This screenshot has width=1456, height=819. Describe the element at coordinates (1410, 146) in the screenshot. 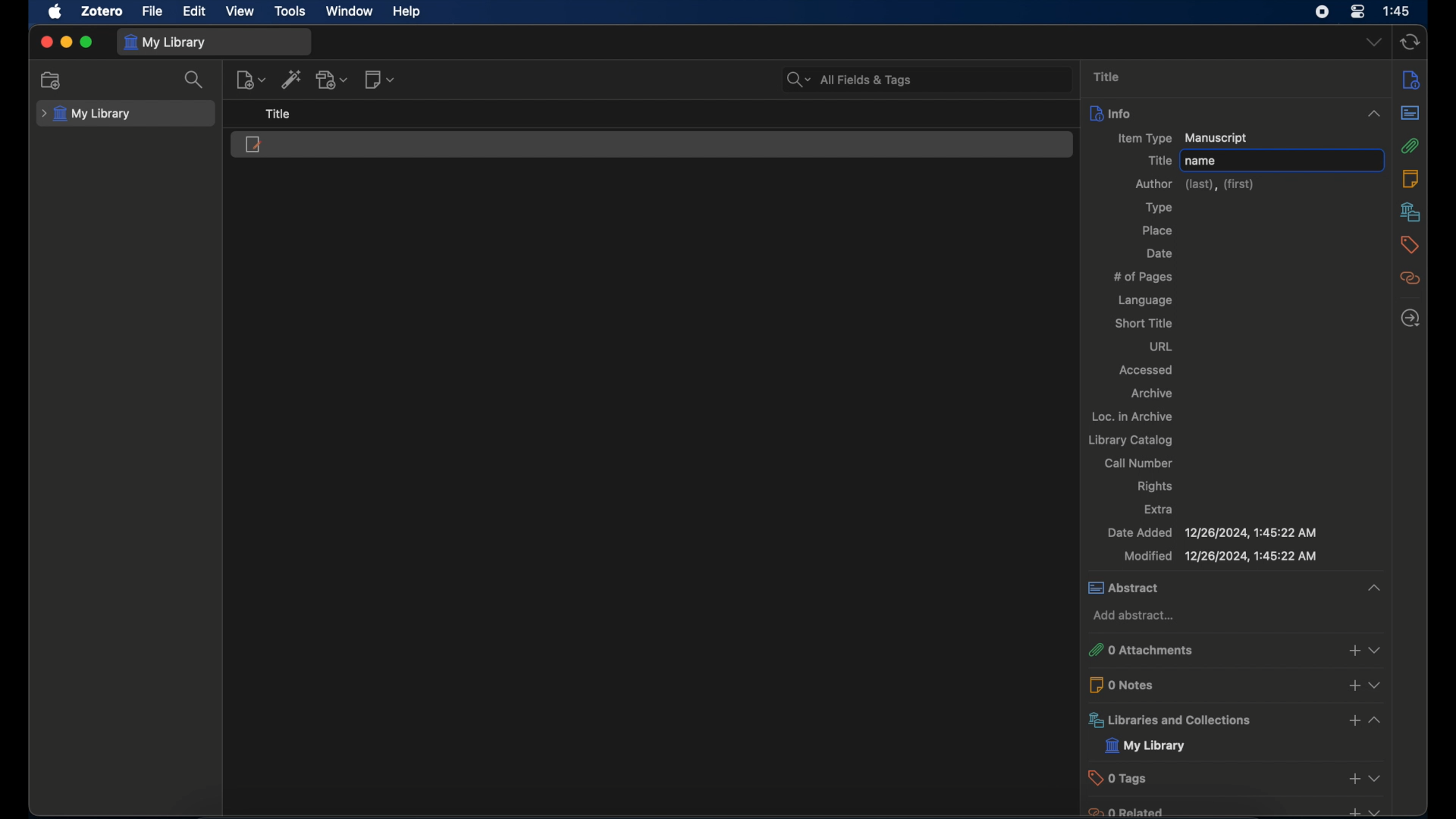

I see `attachment` at that location.